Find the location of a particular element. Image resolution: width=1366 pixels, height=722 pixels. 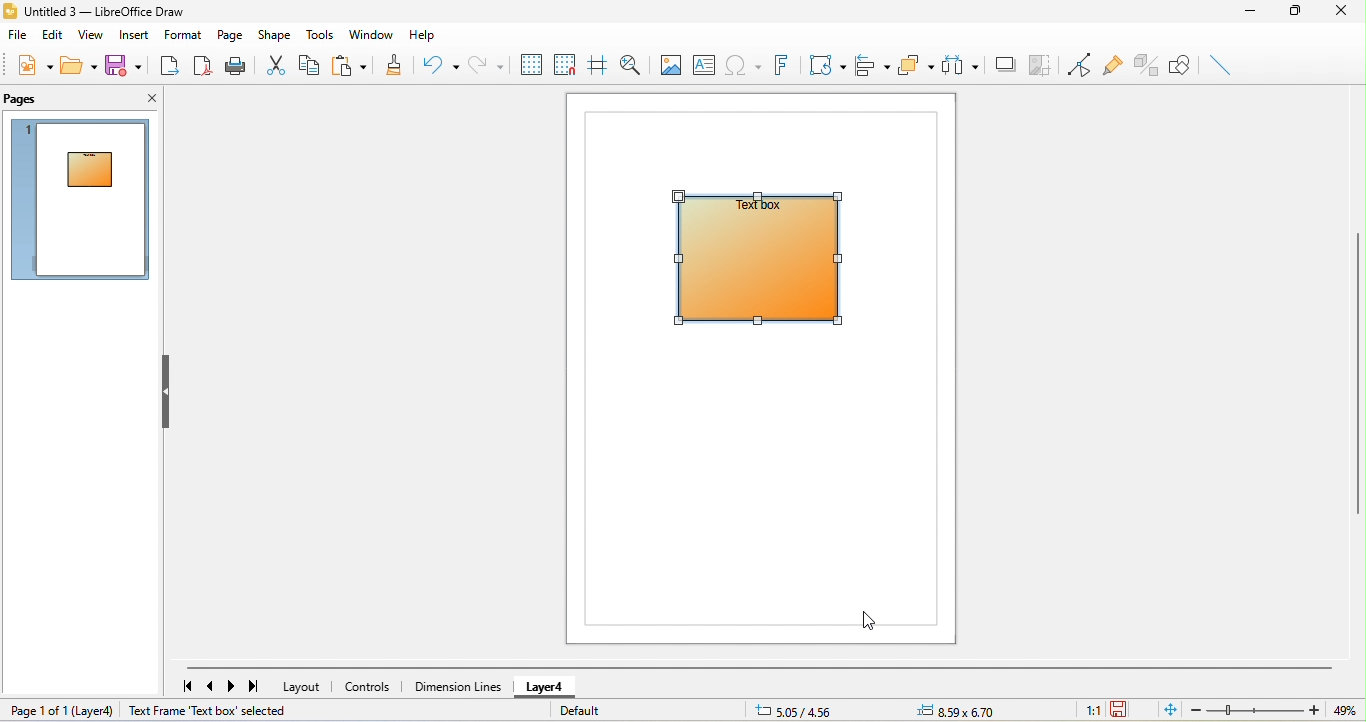

export is located at coordinates (170, 65).